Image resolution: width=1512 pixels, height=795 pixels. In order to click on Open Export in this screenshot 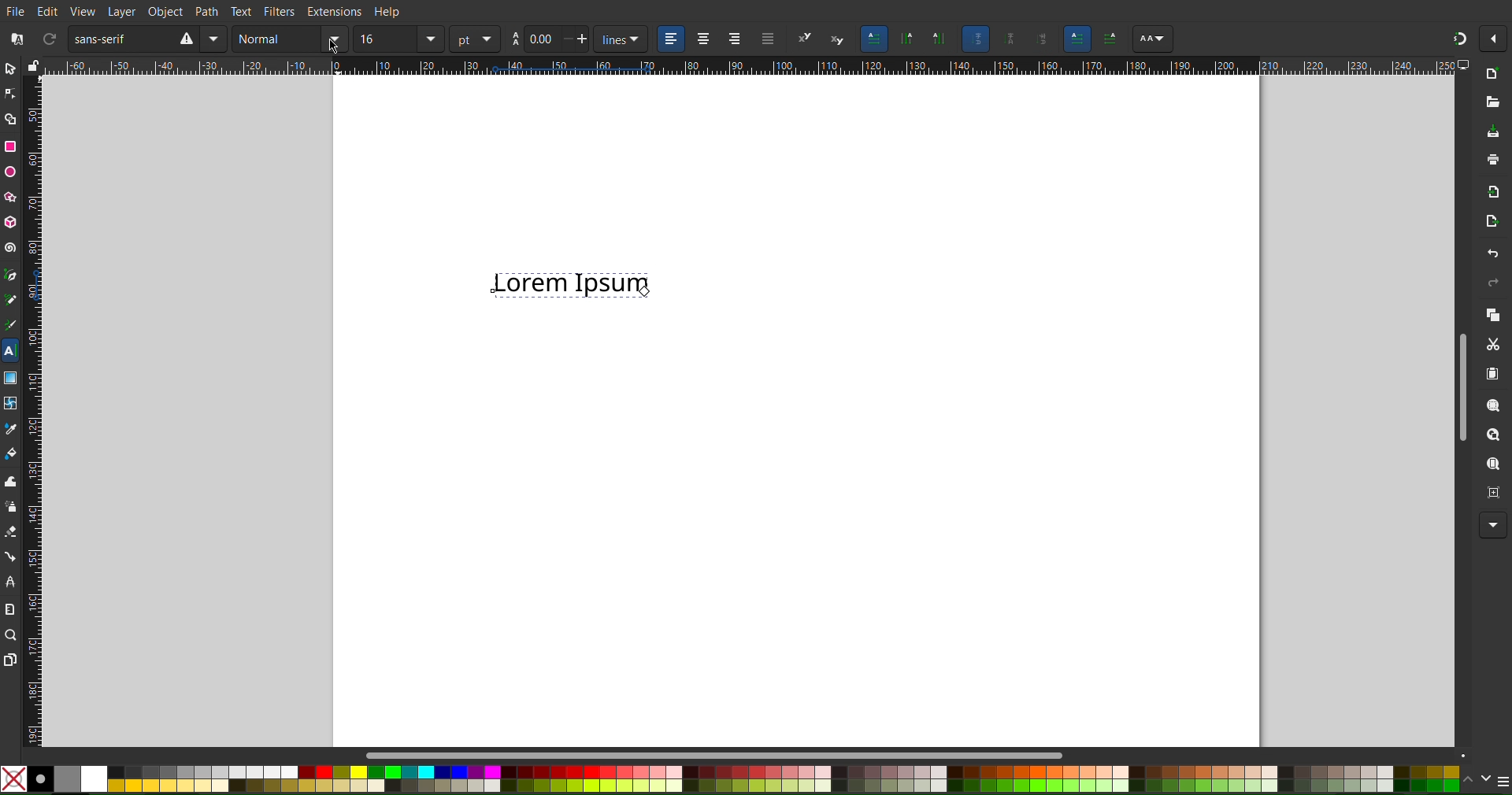, I will do `click(1489, 223)`.